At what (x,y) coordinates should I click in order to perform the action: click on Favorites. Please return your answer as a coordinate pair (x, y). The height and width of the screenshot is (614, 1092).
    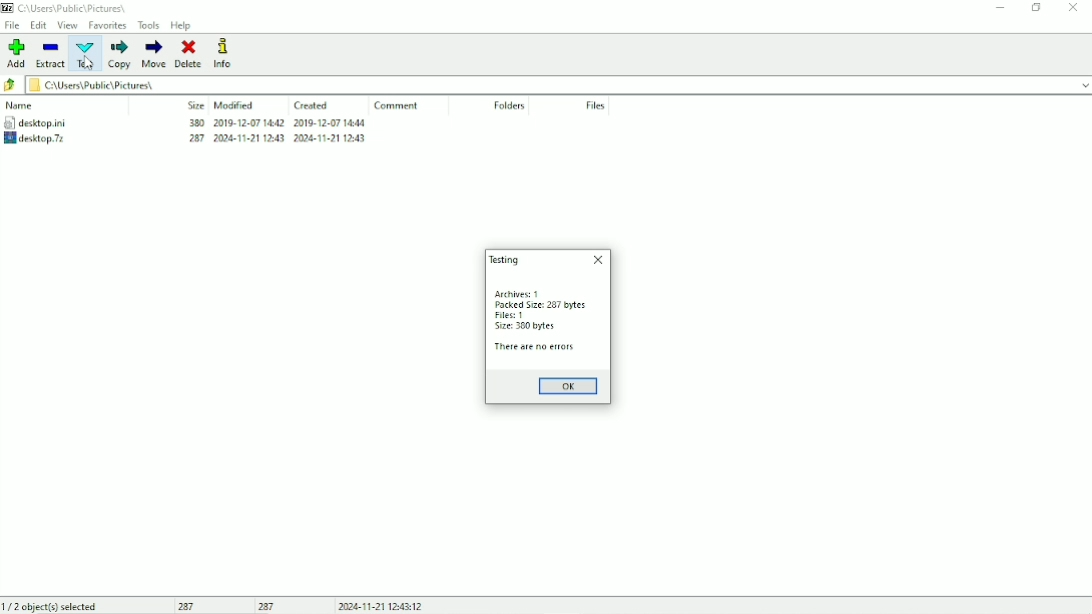
    Looking at the image, I should click on (109, 26).